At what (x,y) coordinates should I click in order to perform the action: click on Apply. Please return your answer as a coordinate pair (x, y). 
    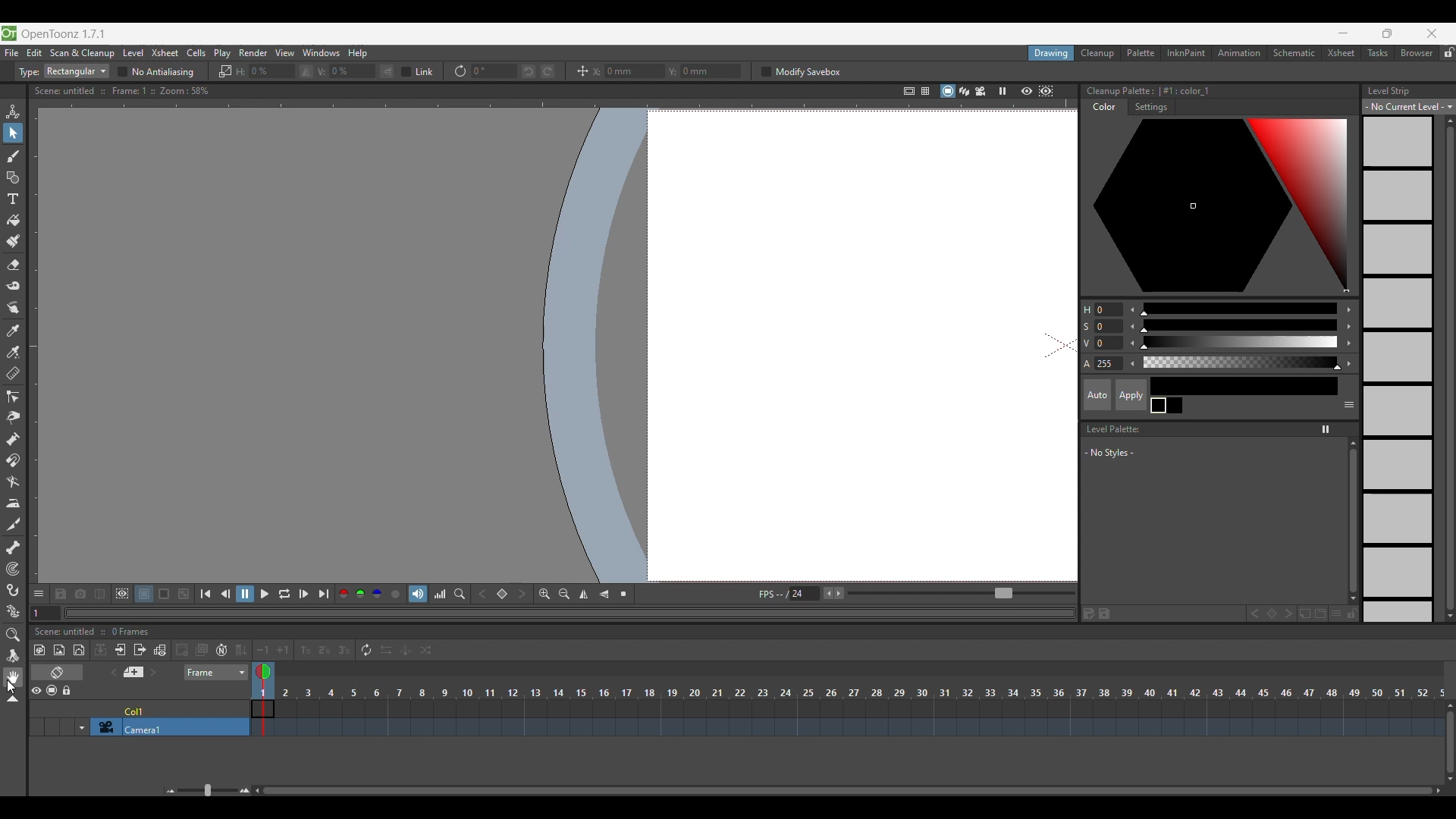
    Looking at the image, I should click on (1131, 395).